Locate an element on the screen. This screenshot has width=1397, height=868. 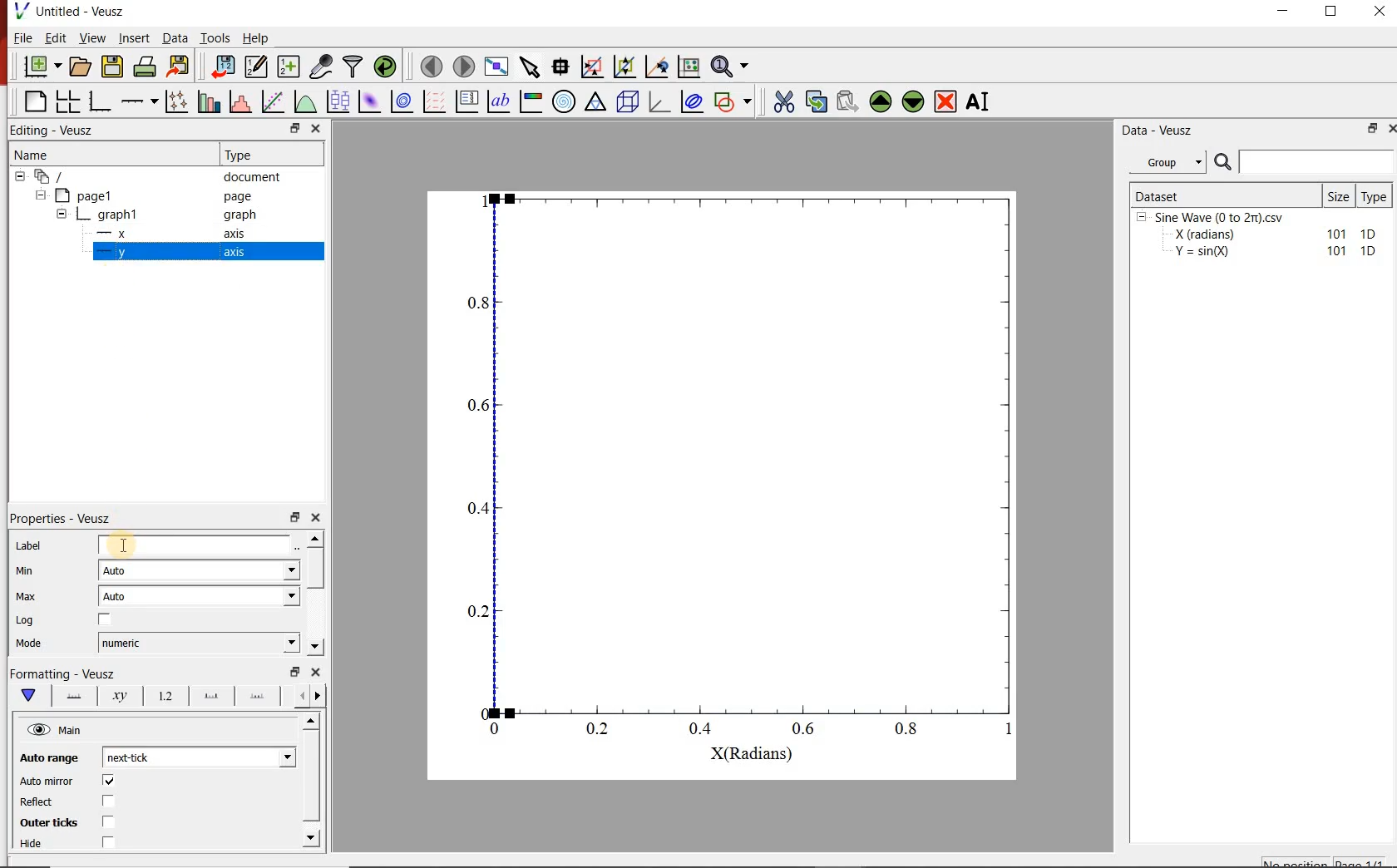
read data points is located at coordinates (560, 65).